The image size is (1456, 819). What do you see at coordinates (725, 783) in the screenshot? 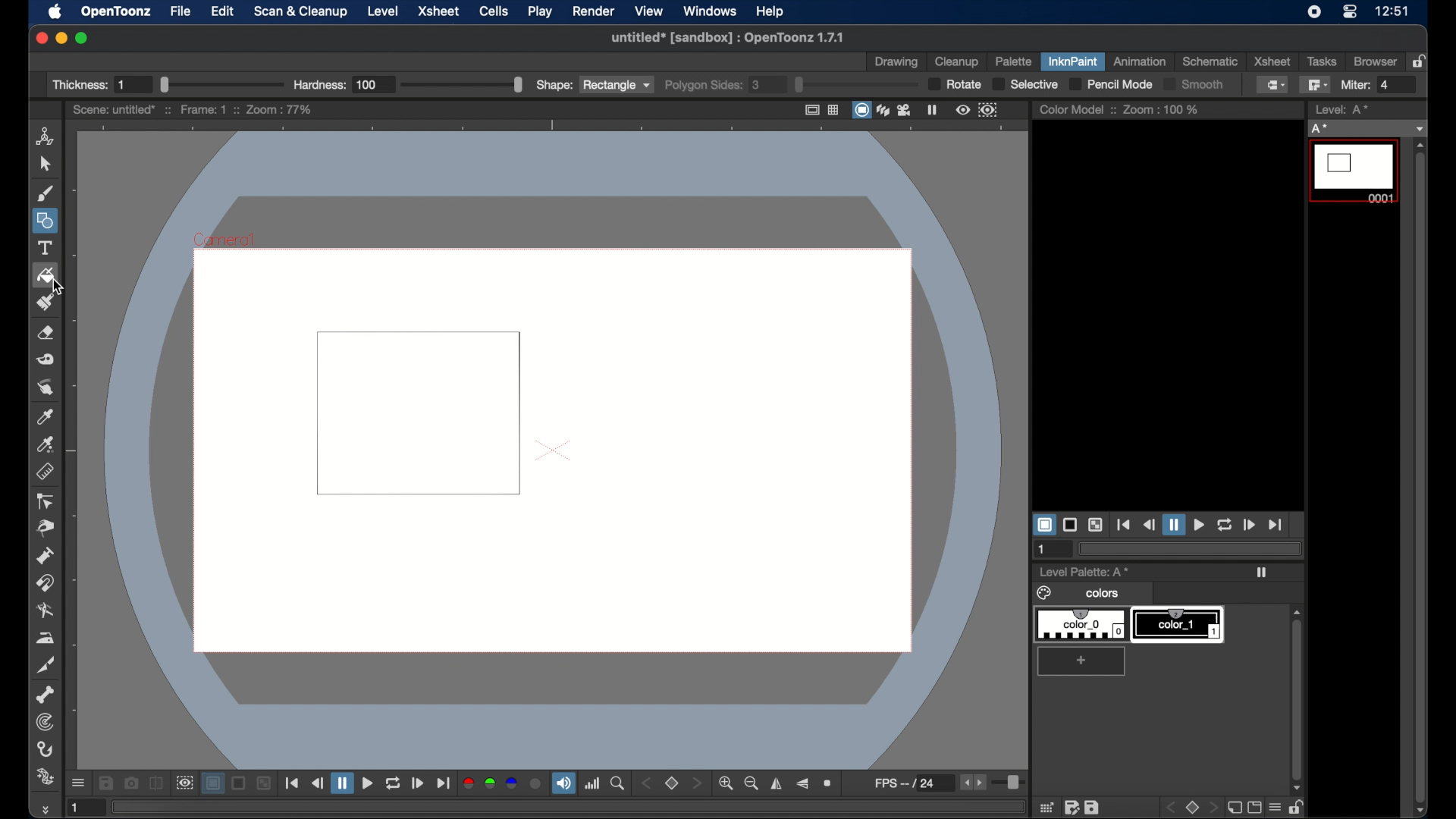
I see `zoom in` at bounding box center [725, 783].